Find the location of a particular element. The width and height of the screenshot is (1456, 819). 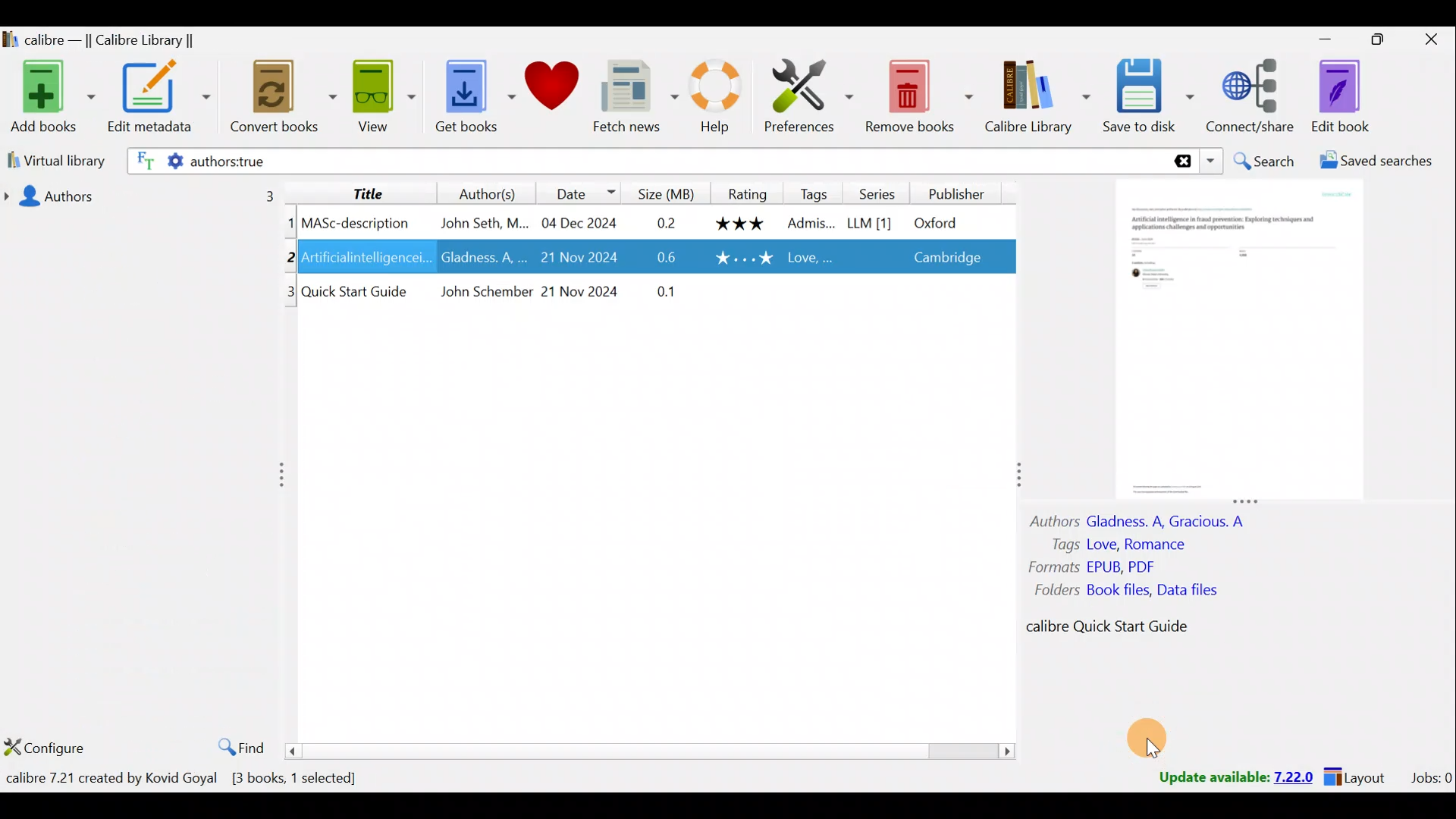

Remove books is located at coordinates (917, 97).